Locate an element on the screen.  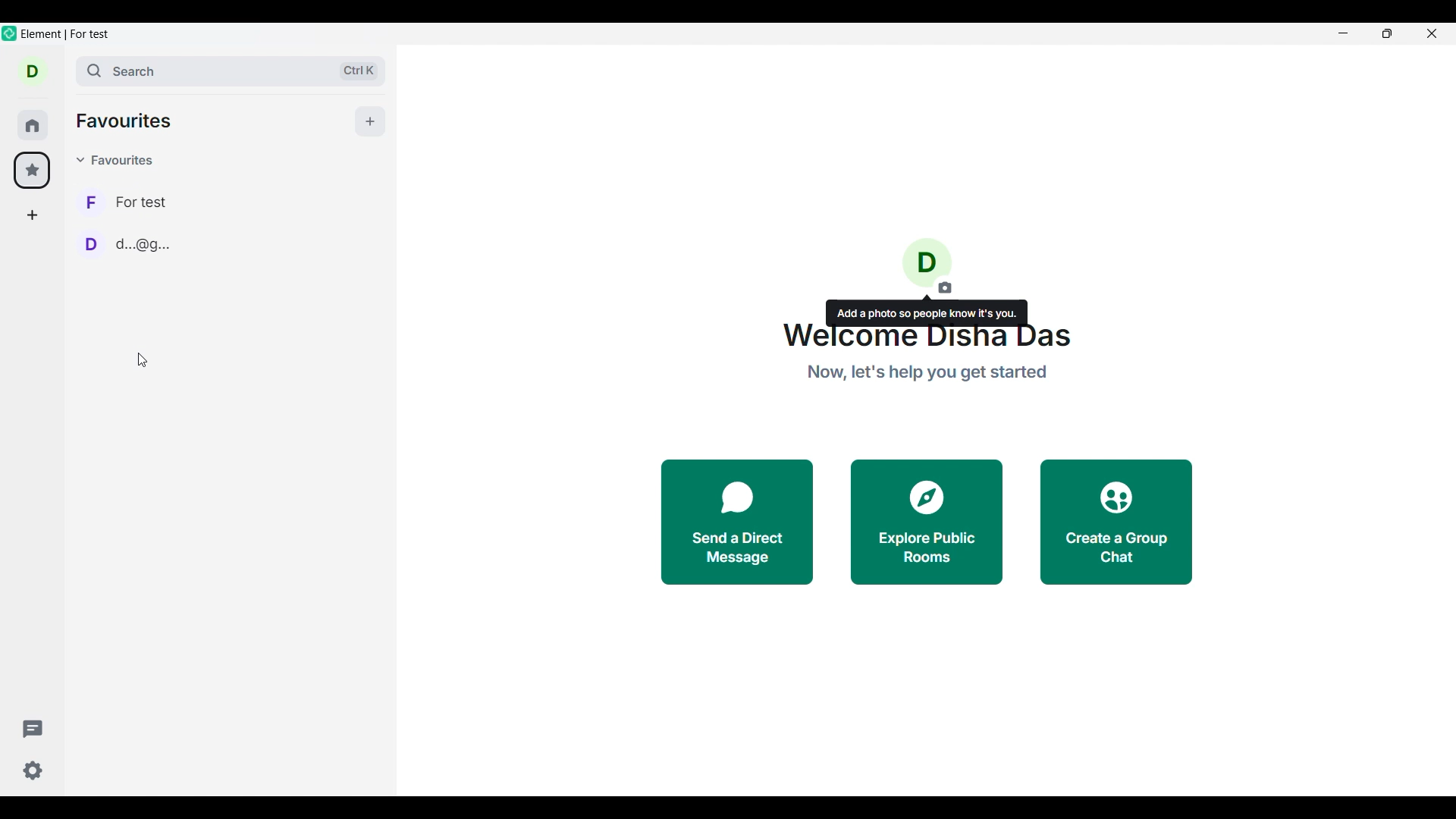
Create a space is located at coordinates (32, 215).